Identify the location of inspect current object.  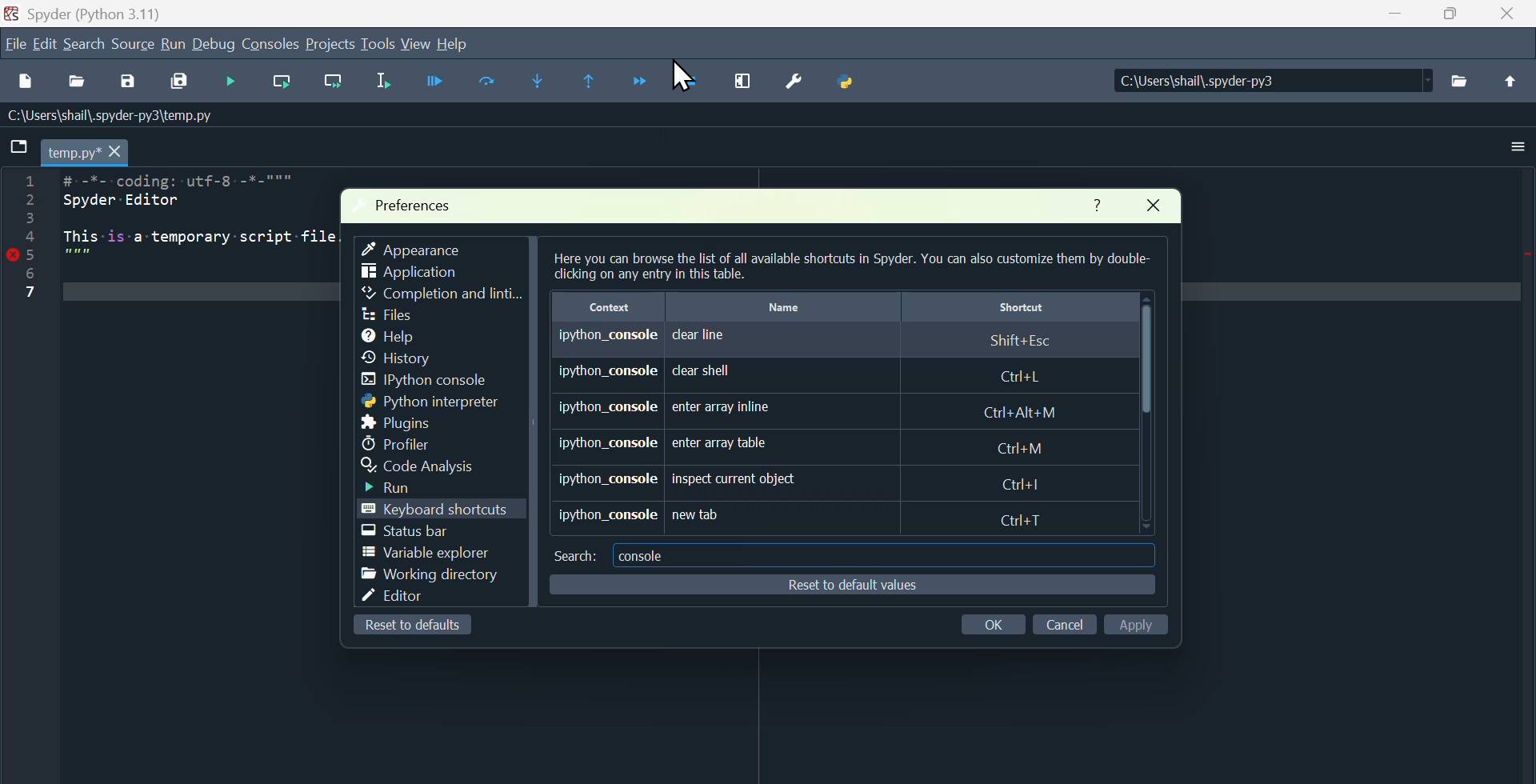
(819, 476).